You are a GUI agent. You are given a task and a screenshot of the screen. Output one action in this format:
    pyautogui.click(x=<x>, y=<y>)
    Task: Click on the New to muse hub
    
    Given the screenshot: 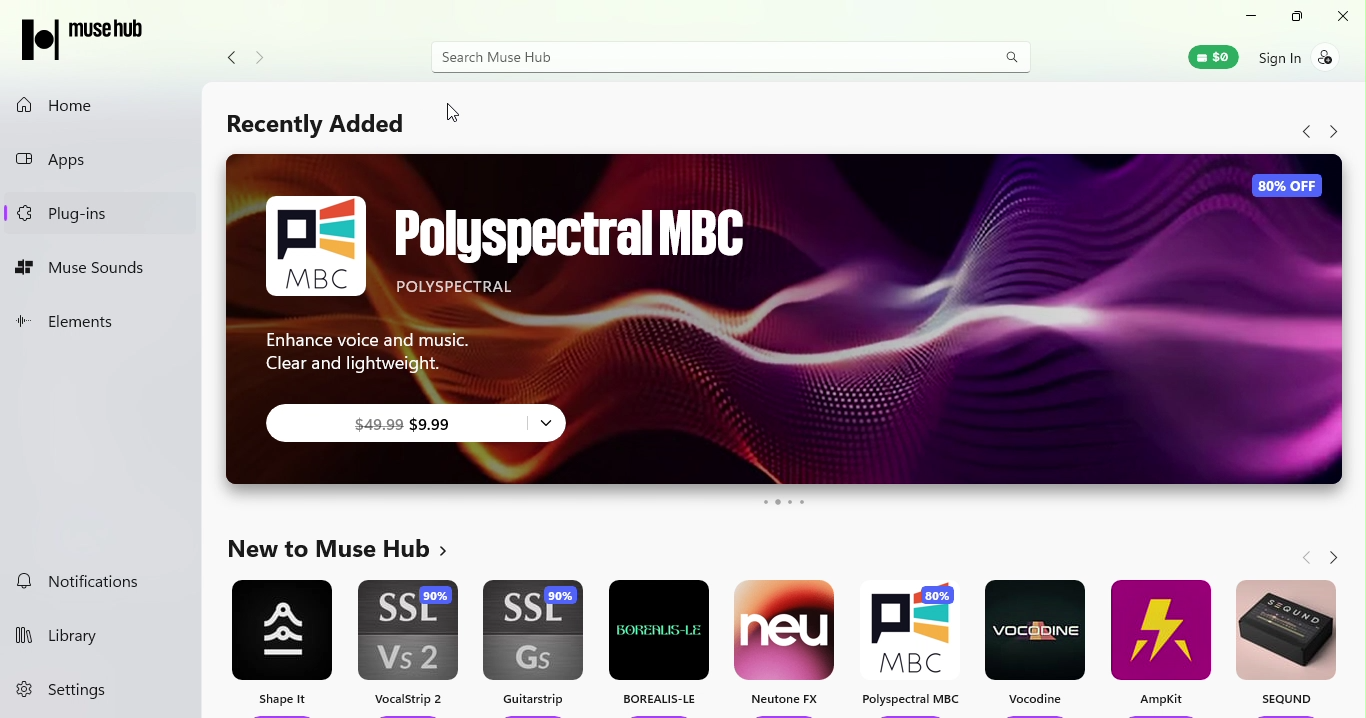 What is the action you would take?
    pyautogui.click(x=339, y=546)
    